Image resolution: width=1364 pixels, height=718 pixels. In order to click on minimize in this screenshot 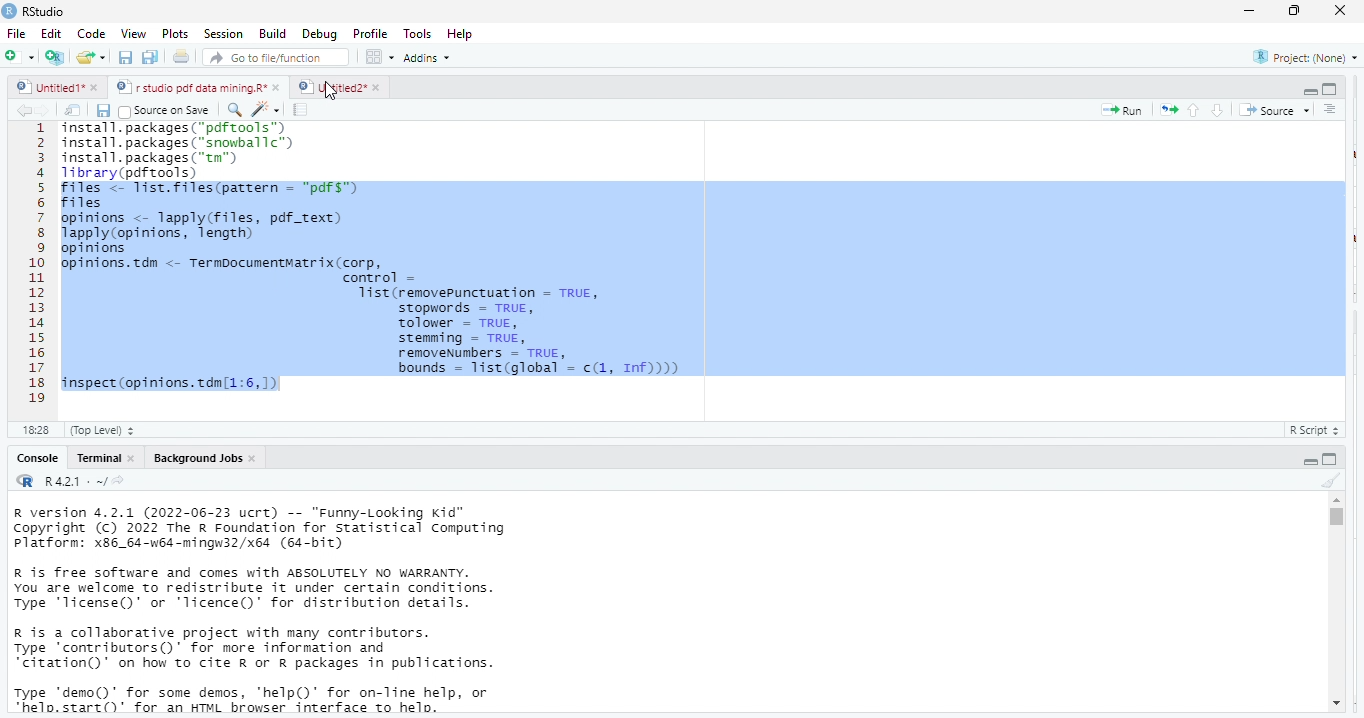, I will do `click(1249, 10)`.